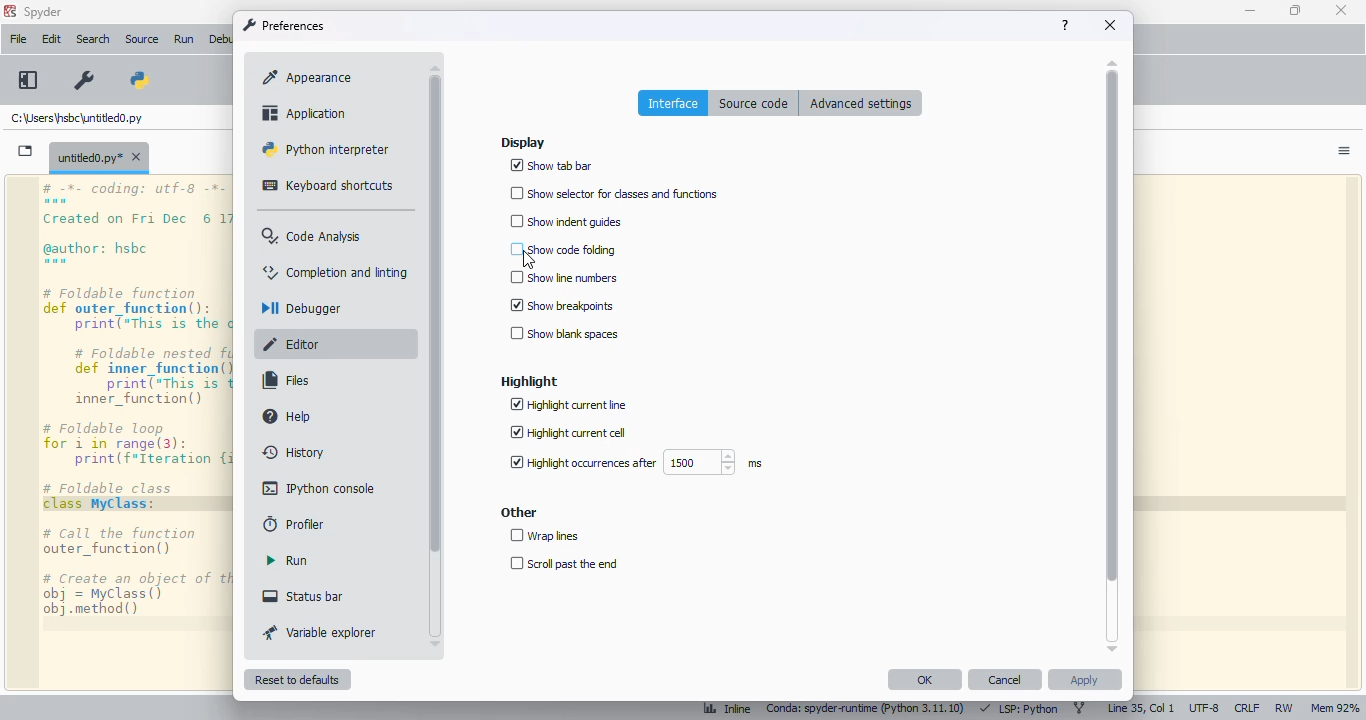  What do you see at coordinates (436, 313) in the screenshot?
I see `vertical scroll bar` at bounding box center [436, 313].